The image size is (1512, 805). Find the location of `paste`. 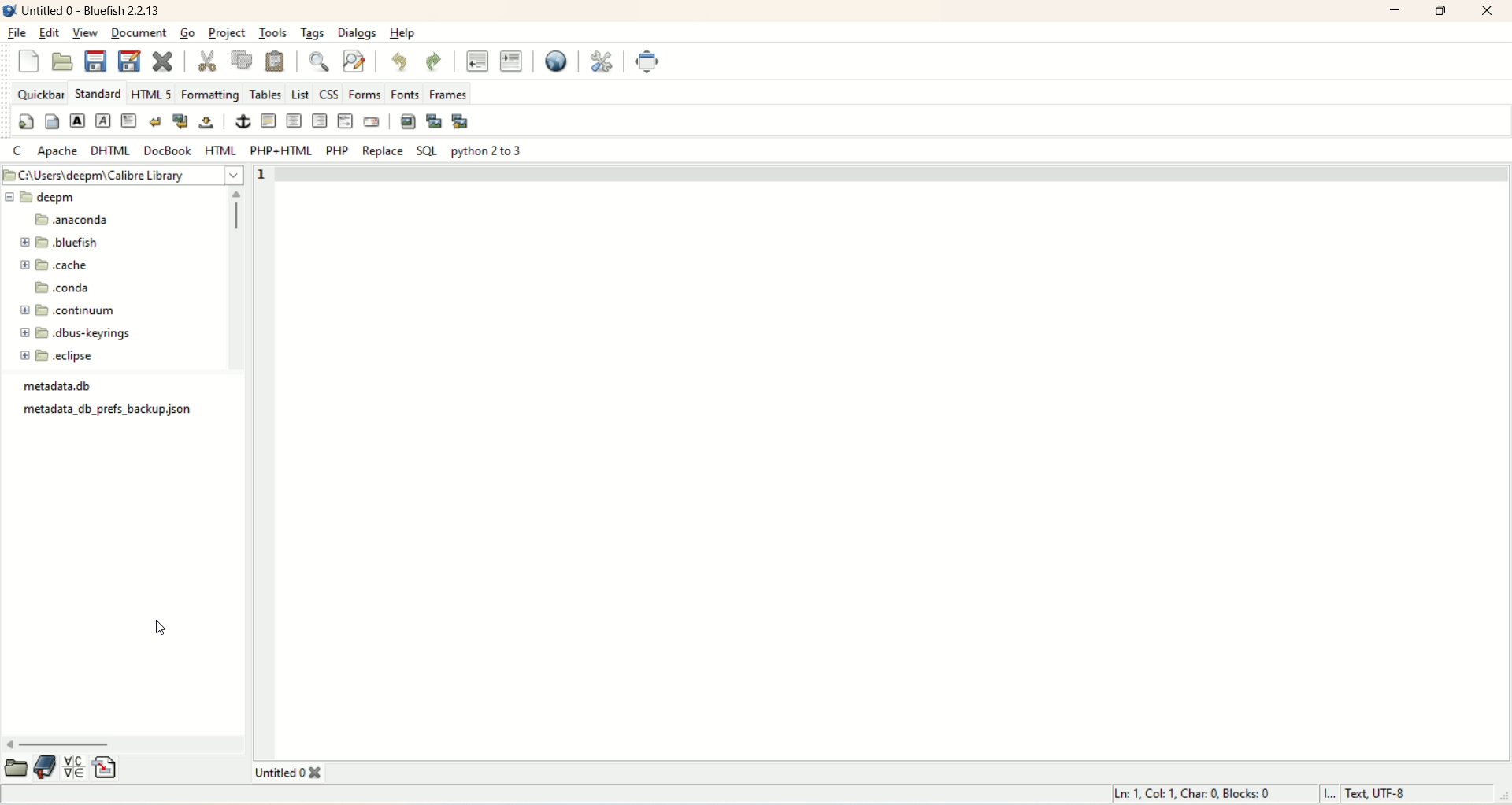

paste is located at coordinates (276, 62).